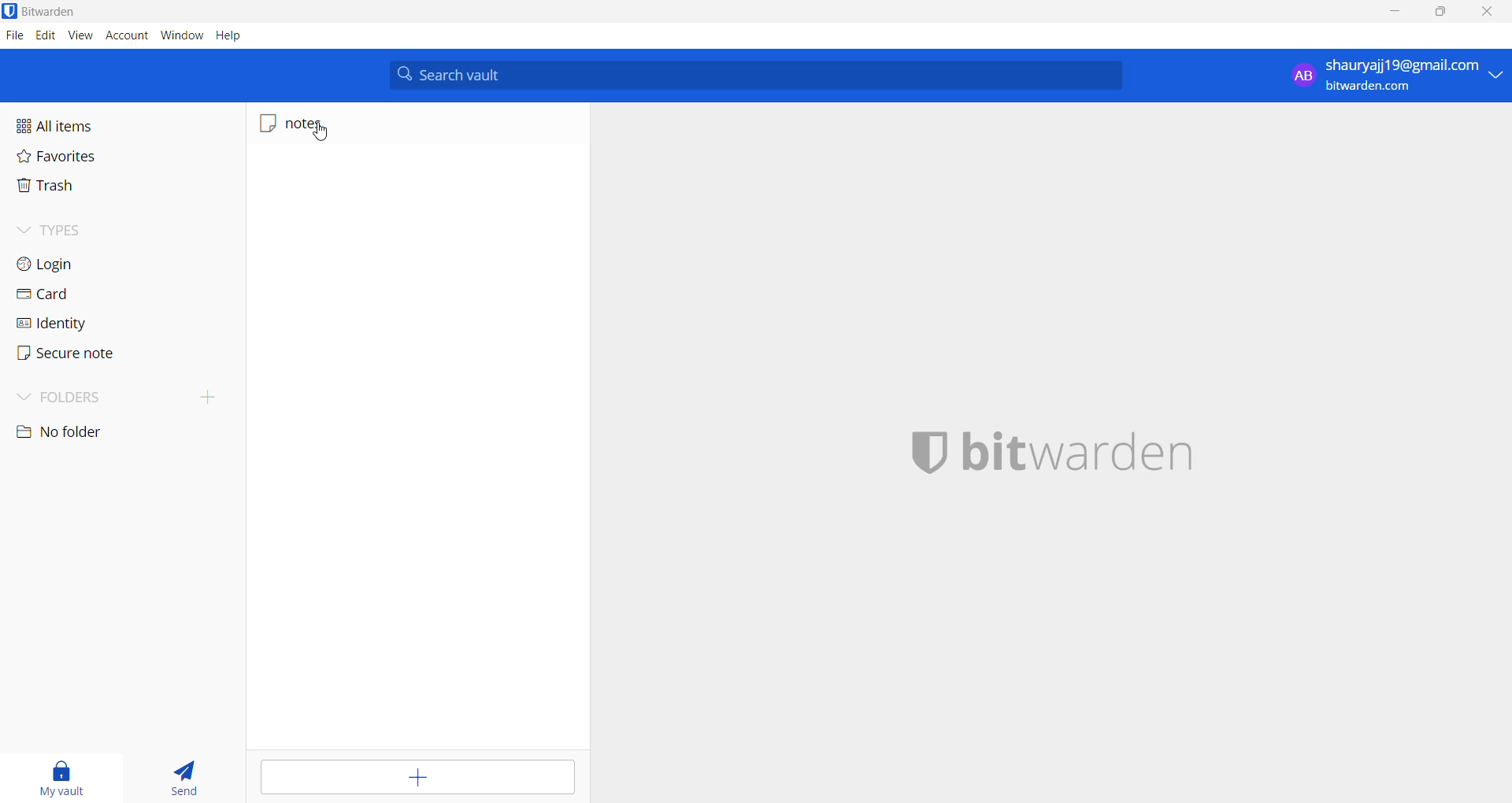  What do you see at coordinates (82, 126) in the screenshot?
I see `all items` at bounding box center [82, 126].